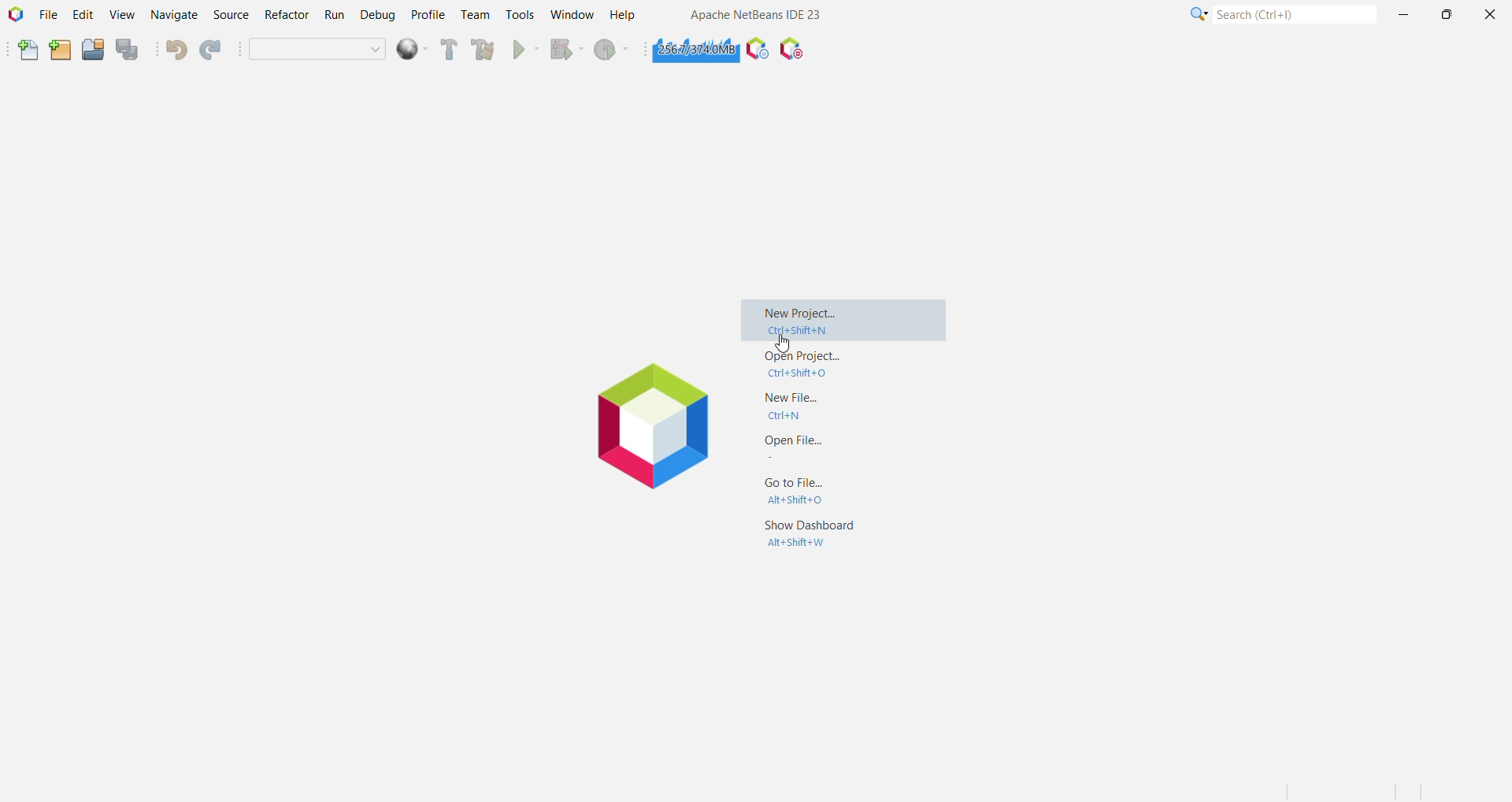 The width and height of the screenshot is (1512, 802). What do you see at coordinates (1489, 16) in the screenshot?
I see `Close` at bounding box center [1489, 16].